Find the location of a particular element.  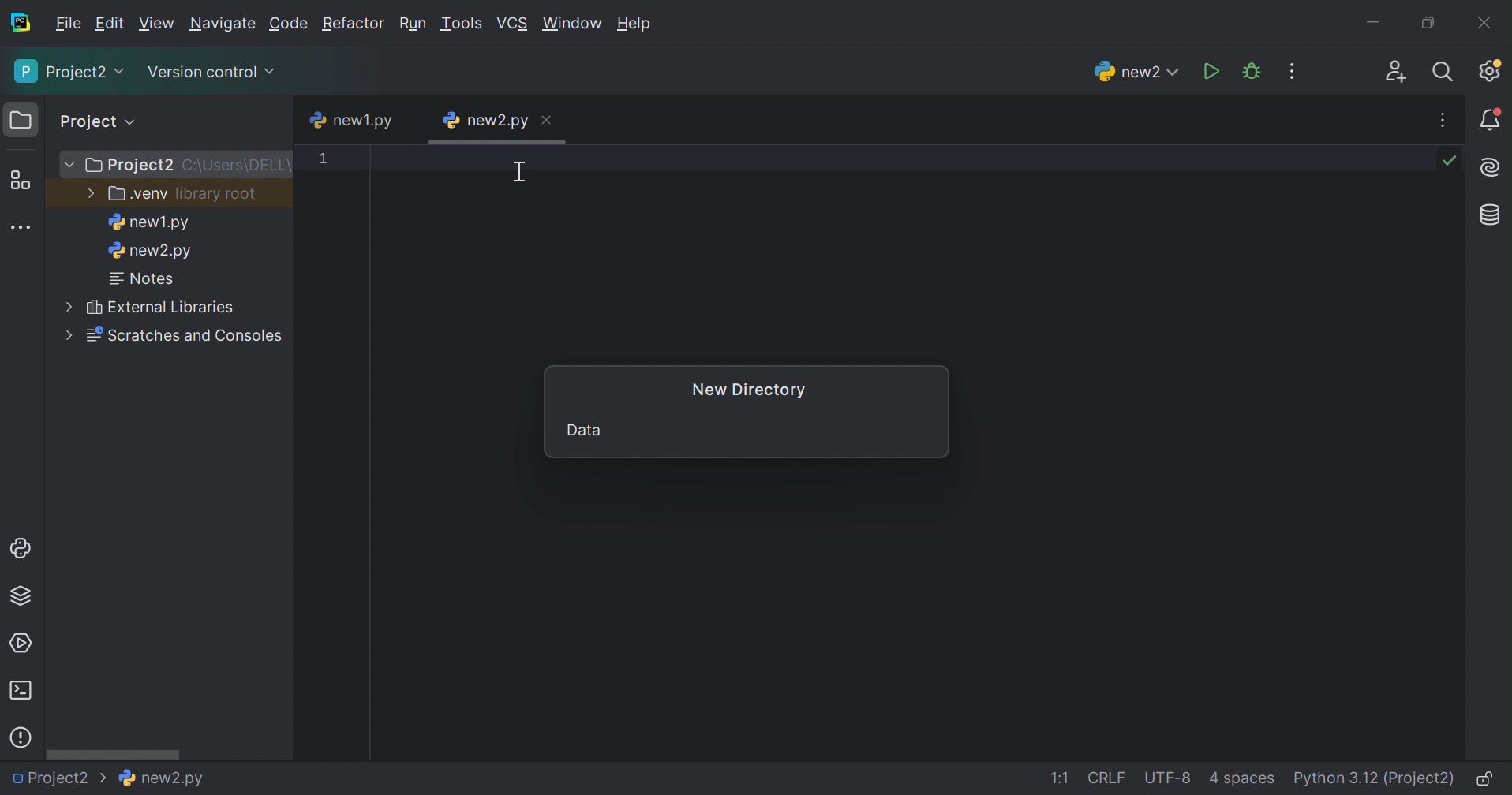

More is located at coordinates (88, 192).